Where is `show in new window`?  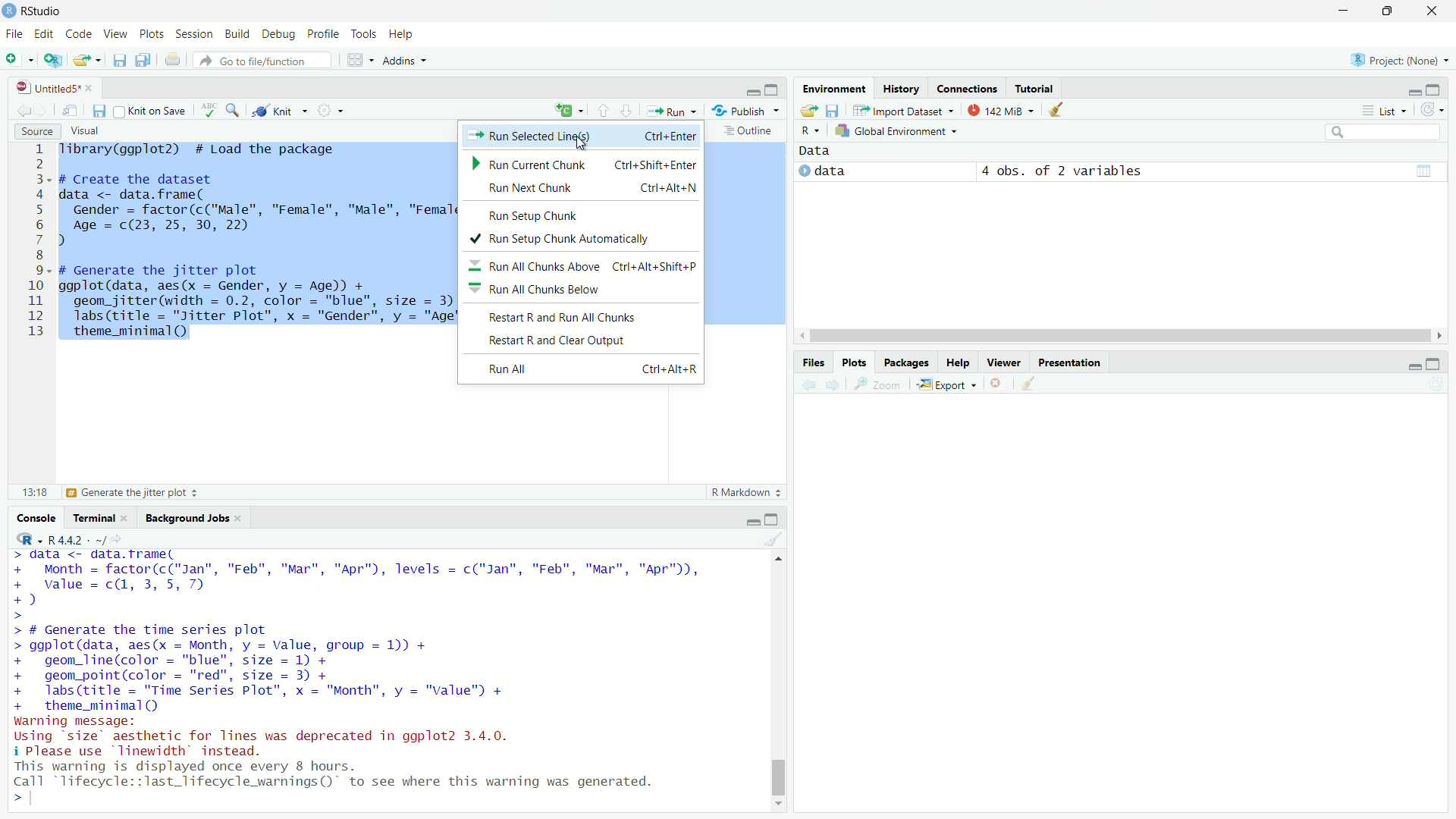 show in new window is located at coordinates (71, 110).